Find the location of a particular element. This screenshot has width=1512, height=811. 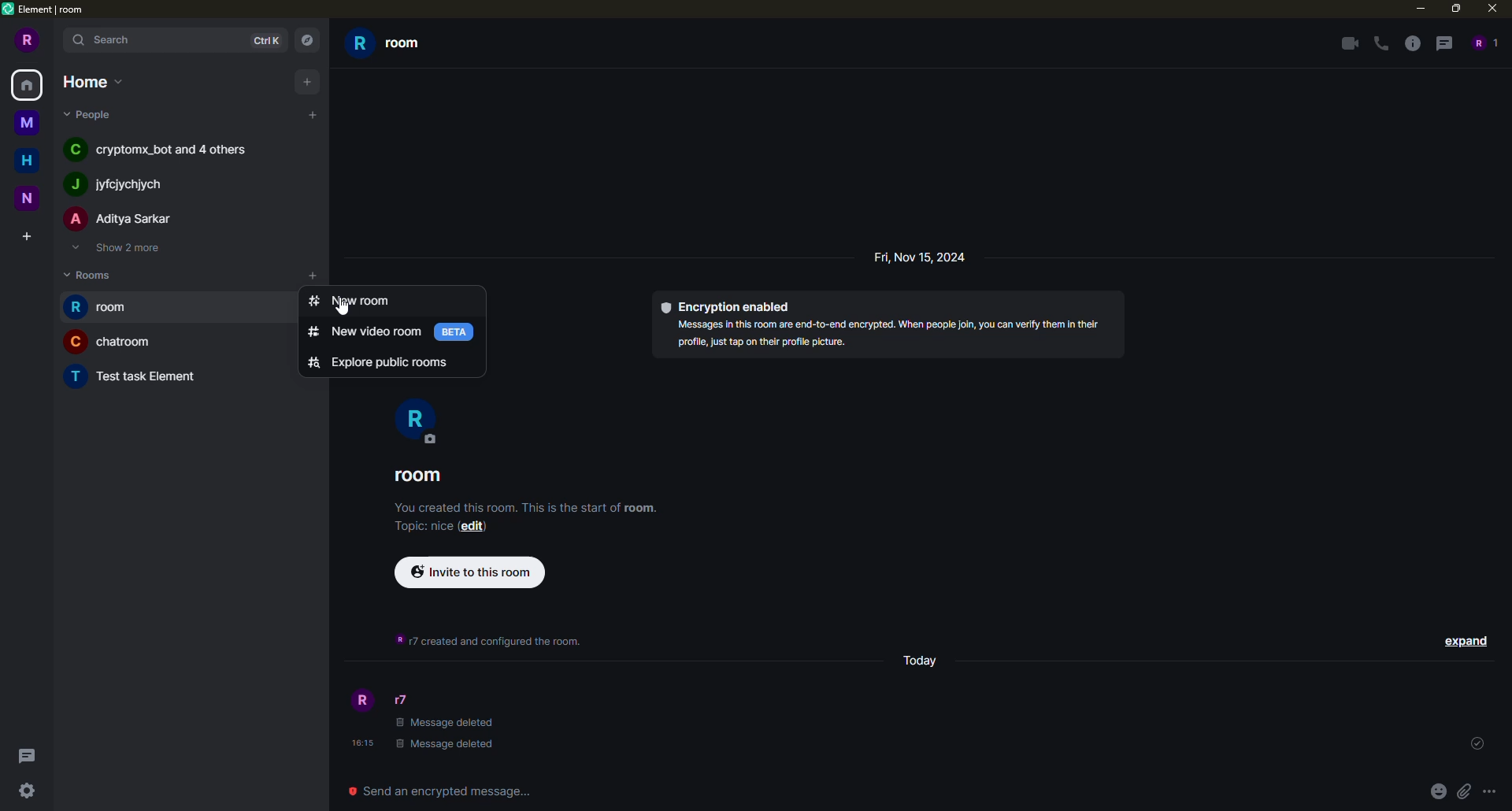

people is located at coordinates (91, 111).